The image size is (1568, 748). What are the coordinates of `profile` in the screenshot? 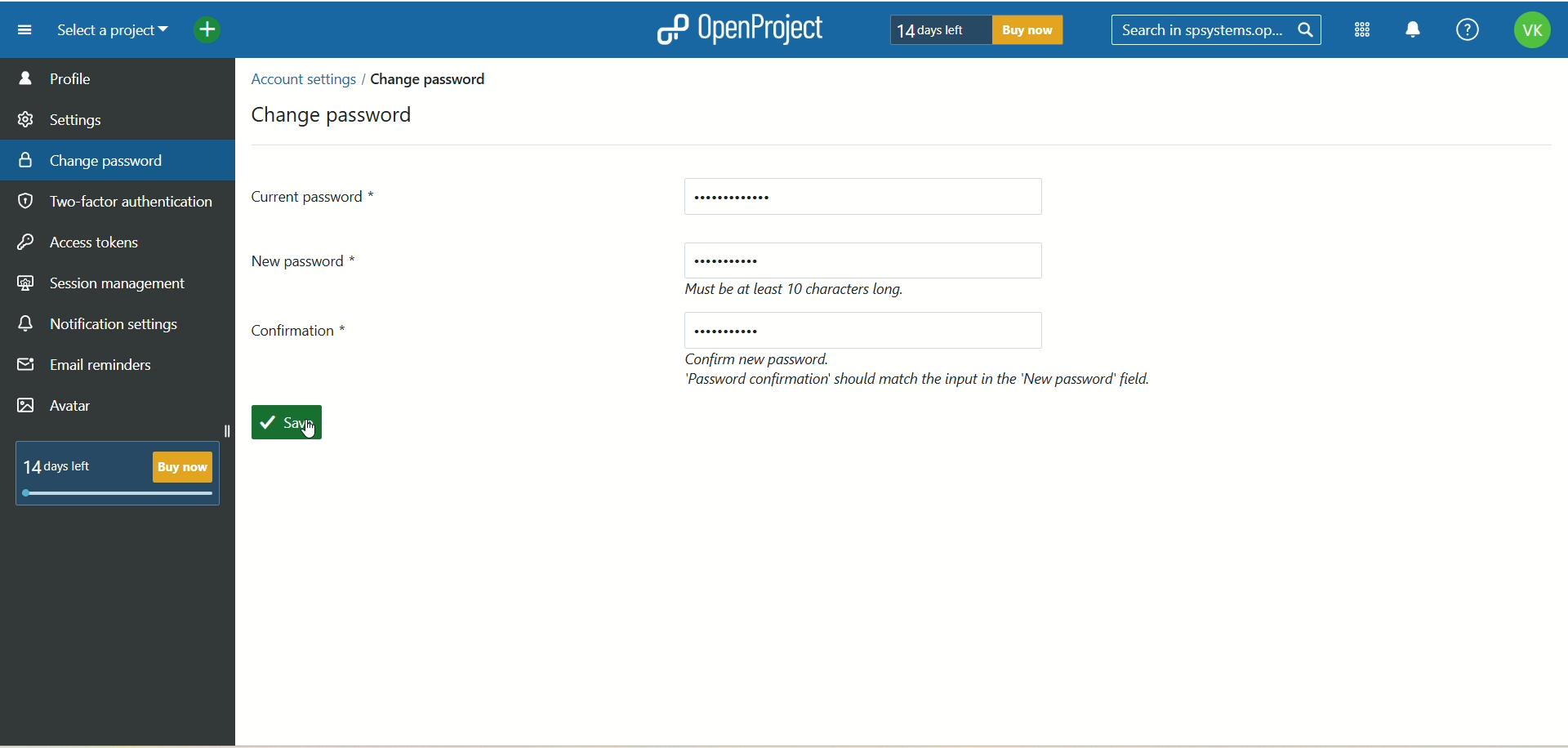 It's located at (118, 78).